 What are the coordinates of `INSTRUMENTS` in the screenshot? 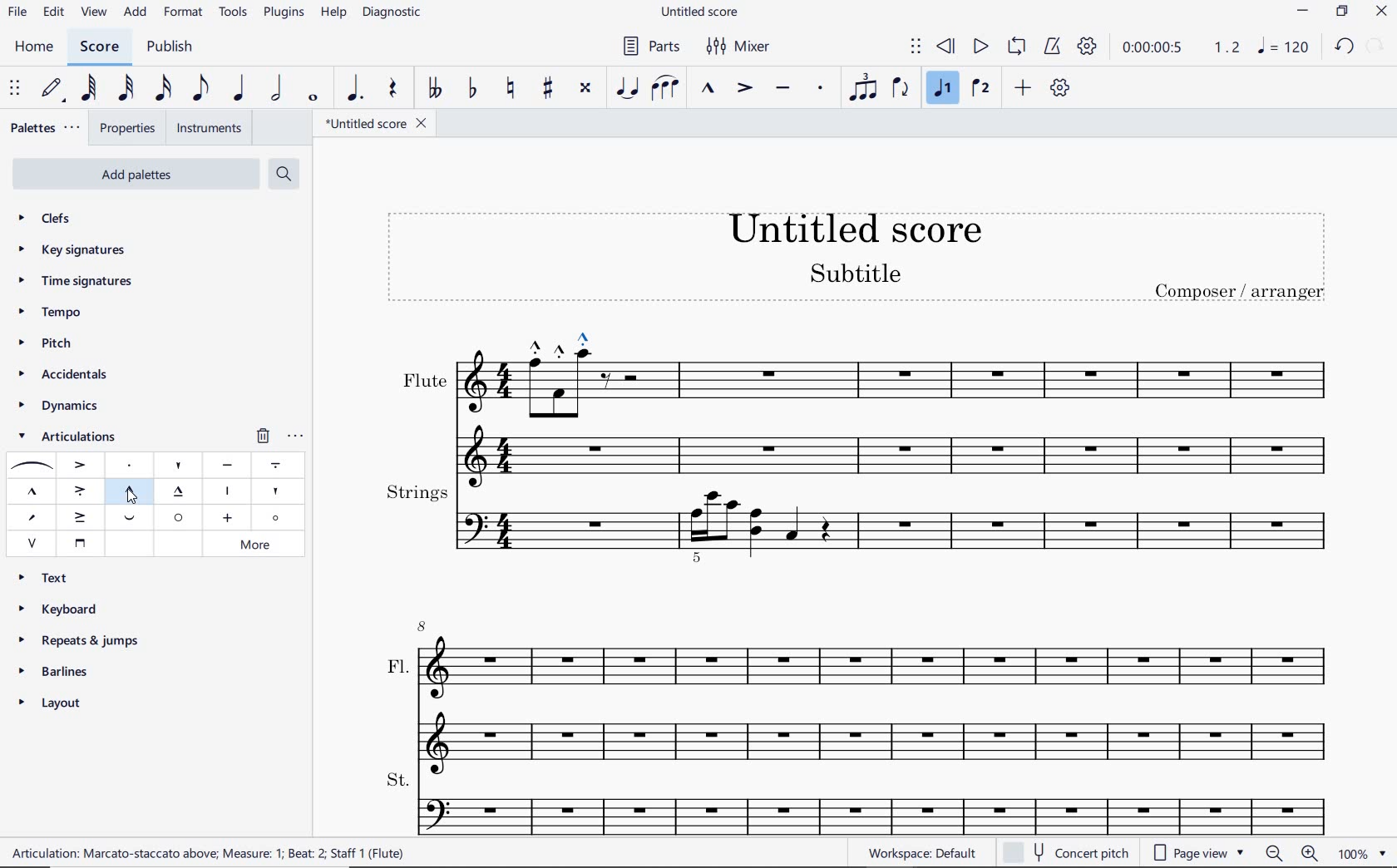 It's located at (210, 128).